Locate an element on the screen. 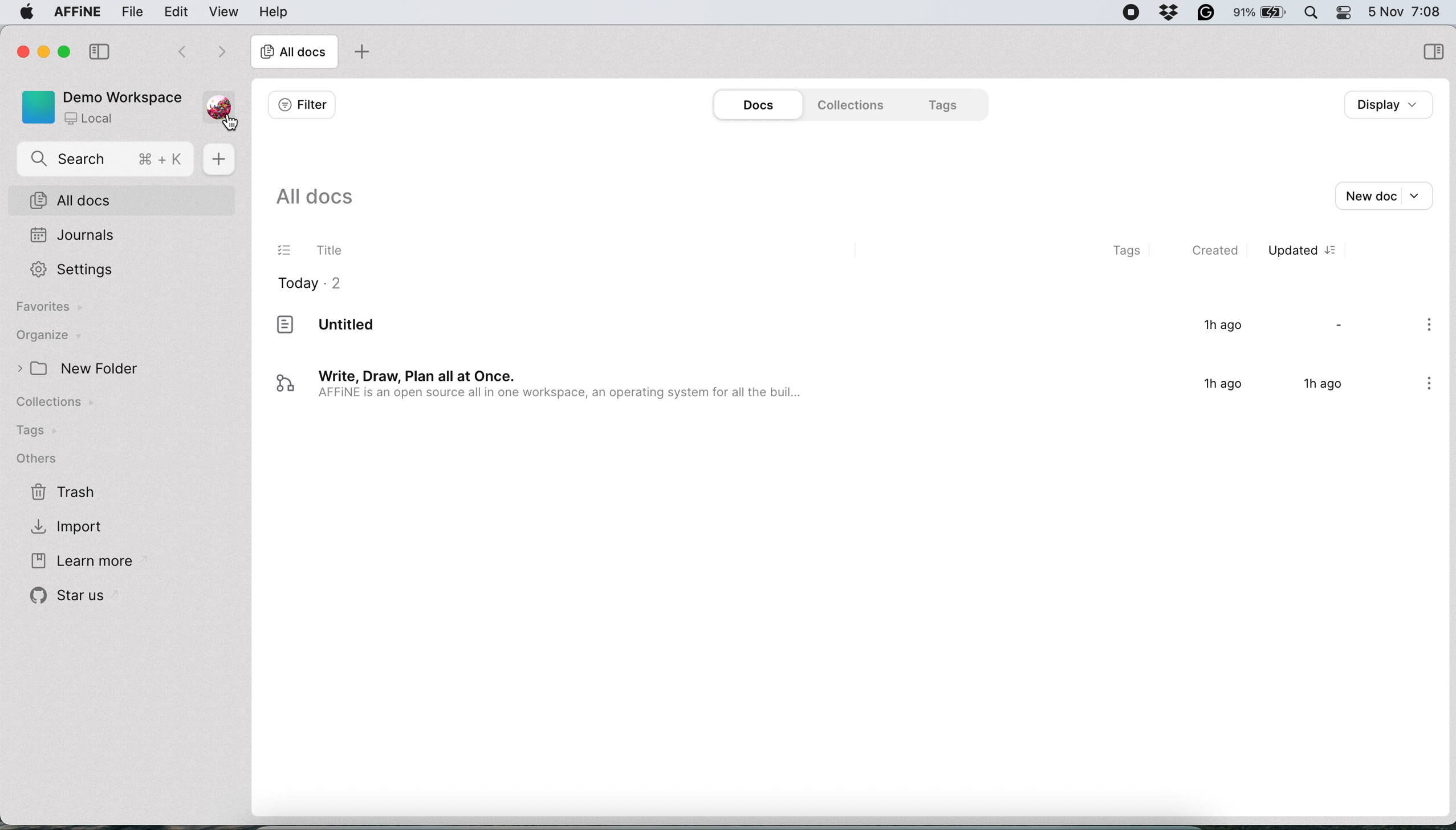 Image resolution: width=1456 pixels, height=830 pixels. Write, Draw, Plan all at Once.
b's Y Aa h : : 1h 1h
AFFINE is an open source all in one workspace, an operating system for all the buil... ago ago is located at coordinates (828, 389).